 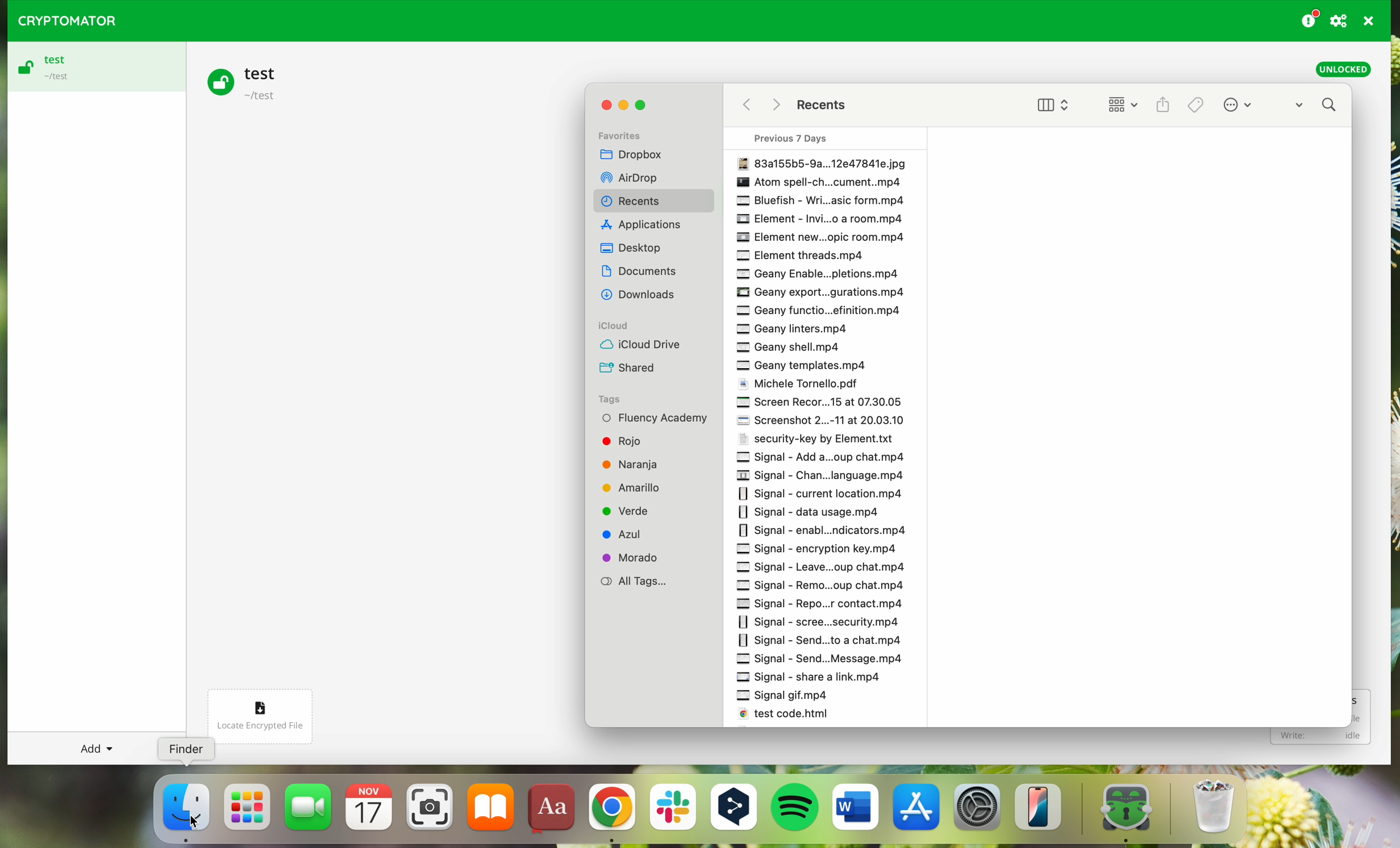 What do you see at coordinates (552, 809) in the screenshot?
I see `dictionary` at bounding box center [552, 809].